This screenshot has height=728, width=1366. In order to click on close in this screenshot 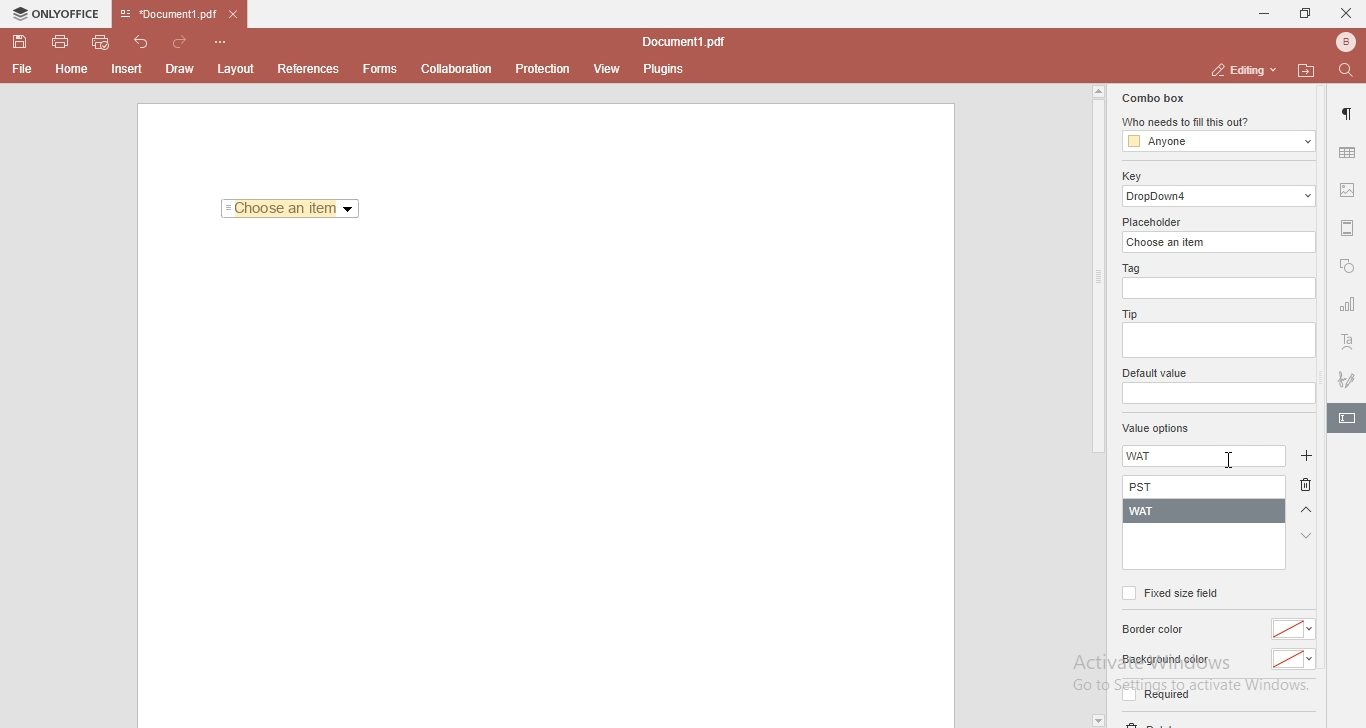, I will do `click(1346, 12)`.